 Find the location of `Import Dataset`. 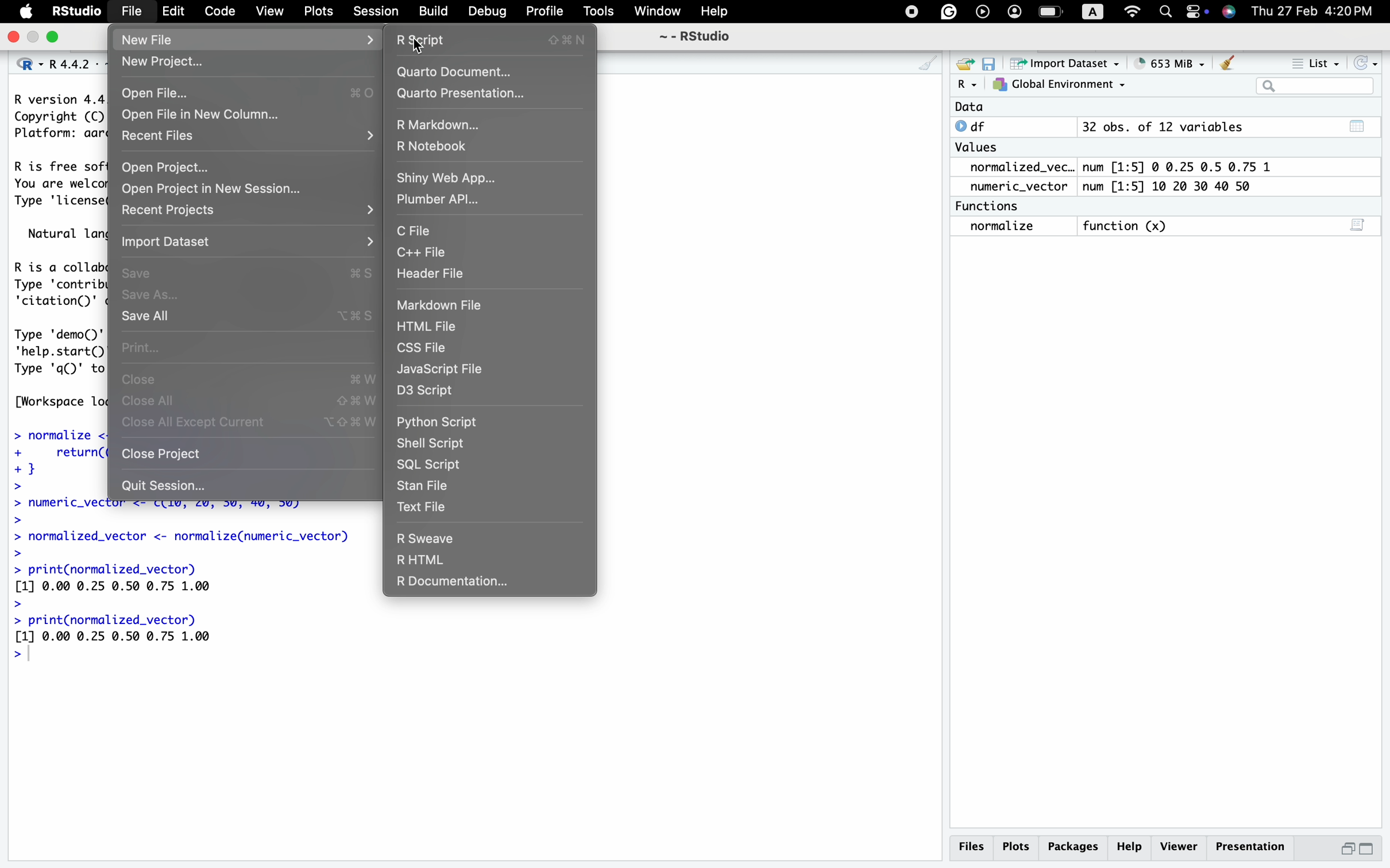

Import Dataset is located at coordinates (173, 245).